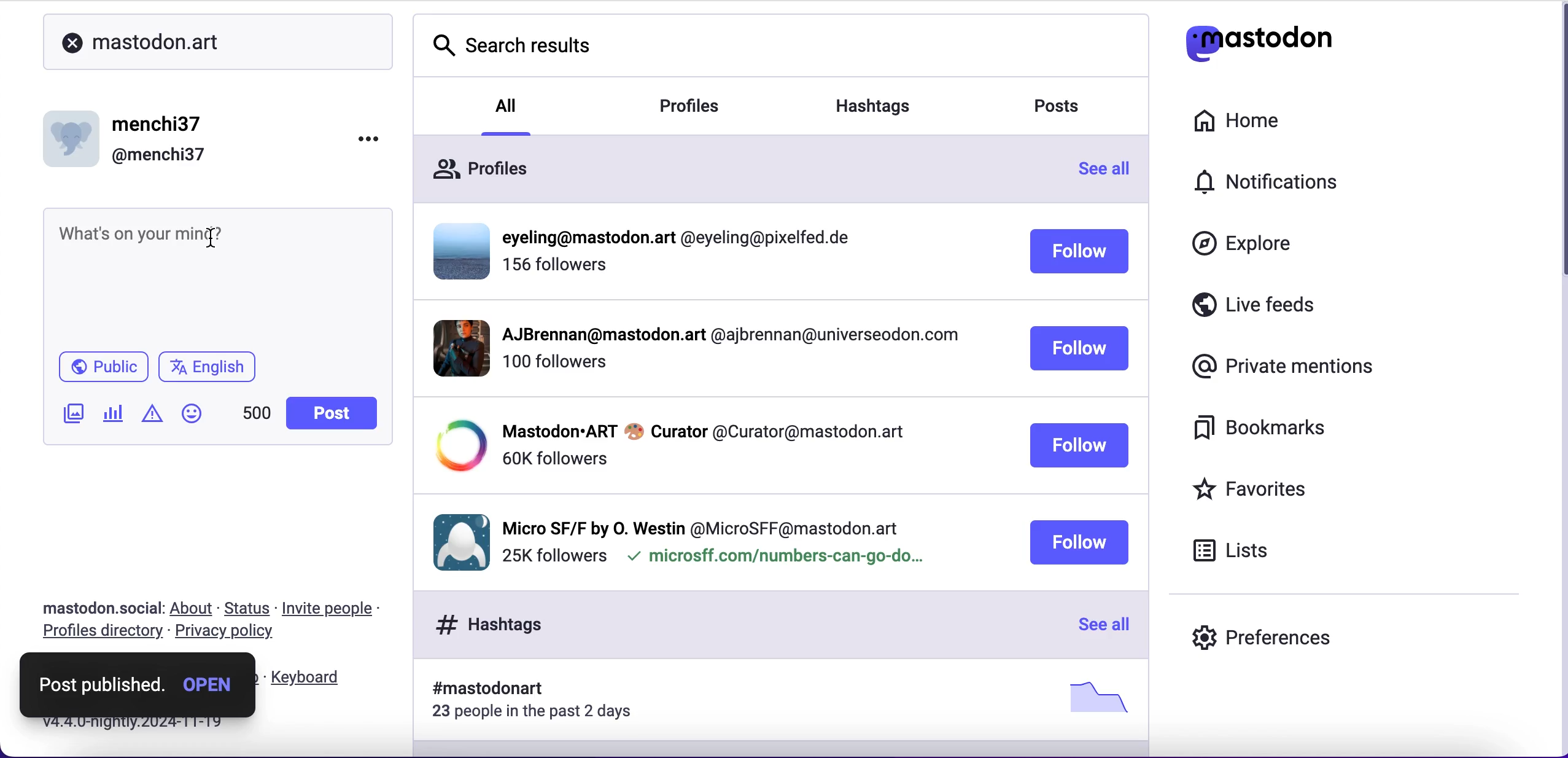 The image size is (1568, 758). What do you see at coordinates (1079, 253) in the screenshot?
I see `follow` at bounding box center [1079, 253].